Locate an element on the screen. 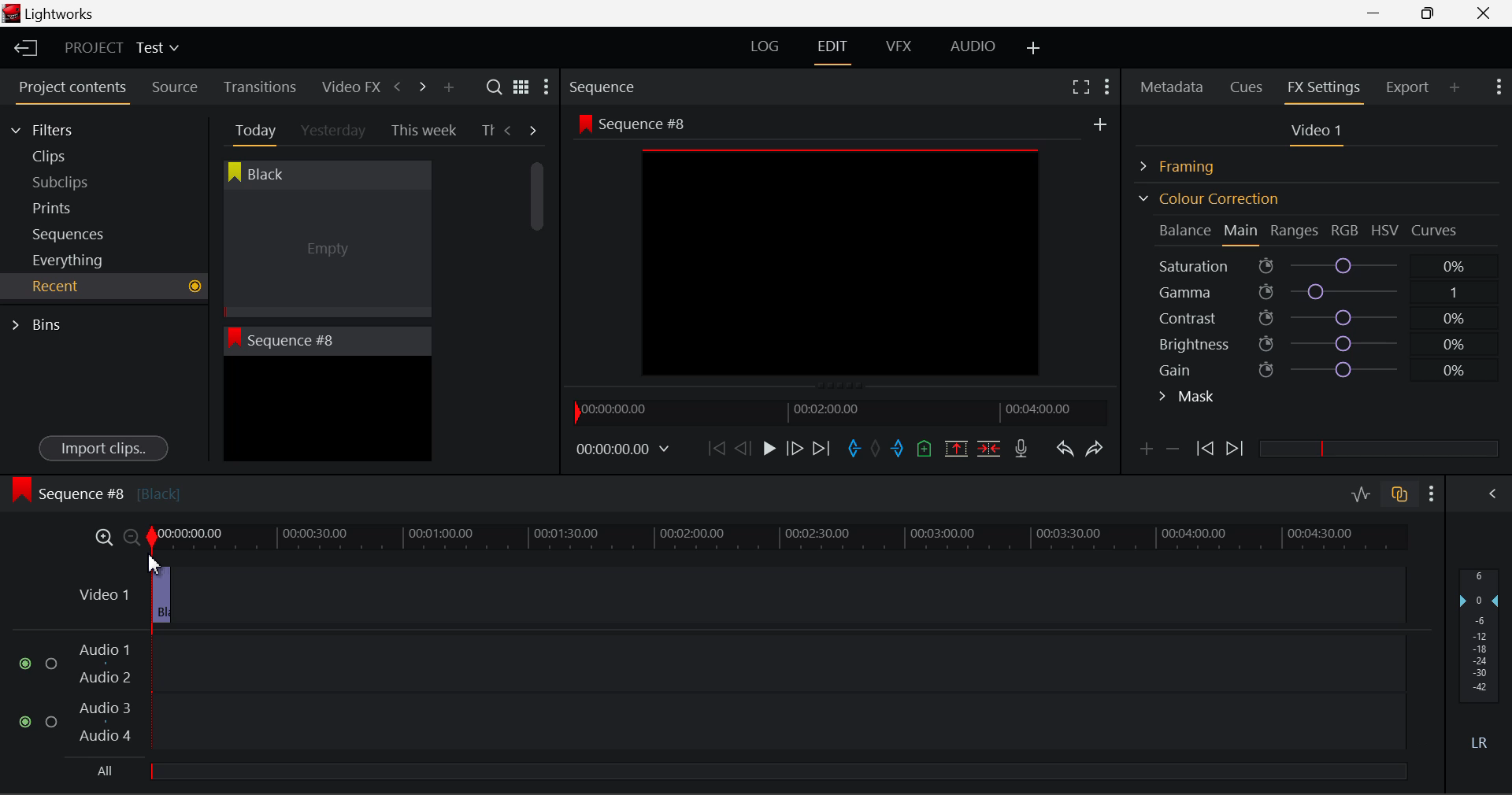 The width and height of the screenshot is (1512, 795). Show Settings is located at coordinates (545, 91).